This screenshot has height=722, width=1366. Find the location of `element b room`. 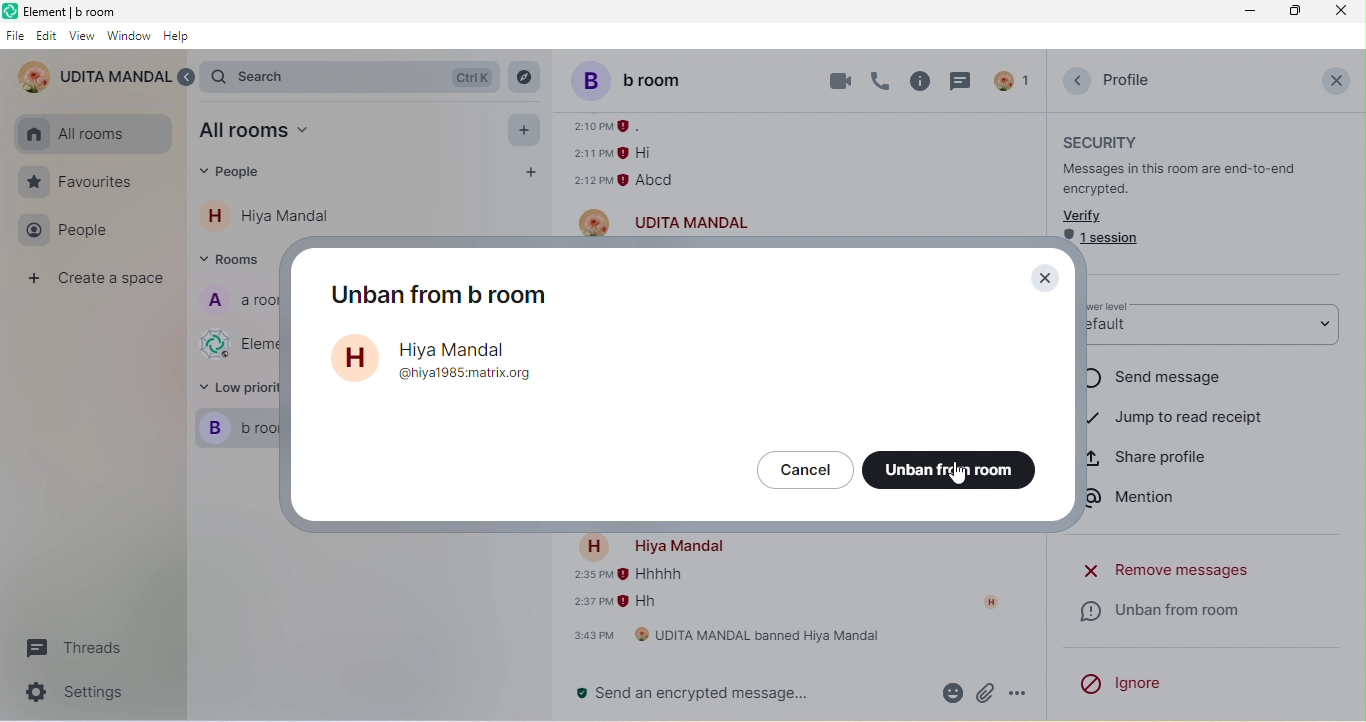

element b room is located at coordinates (76, 11).